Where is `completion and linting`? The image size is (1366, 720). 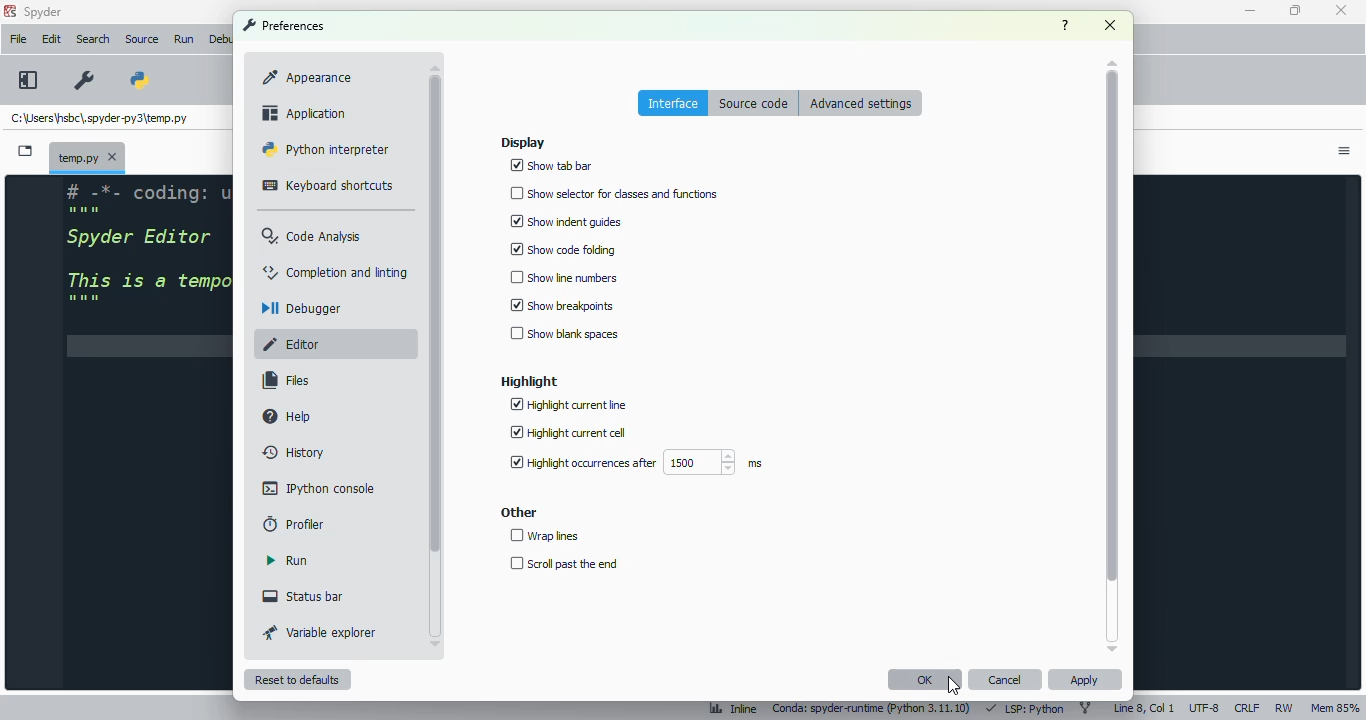 completion and linting is located at coordinates (335, 272).